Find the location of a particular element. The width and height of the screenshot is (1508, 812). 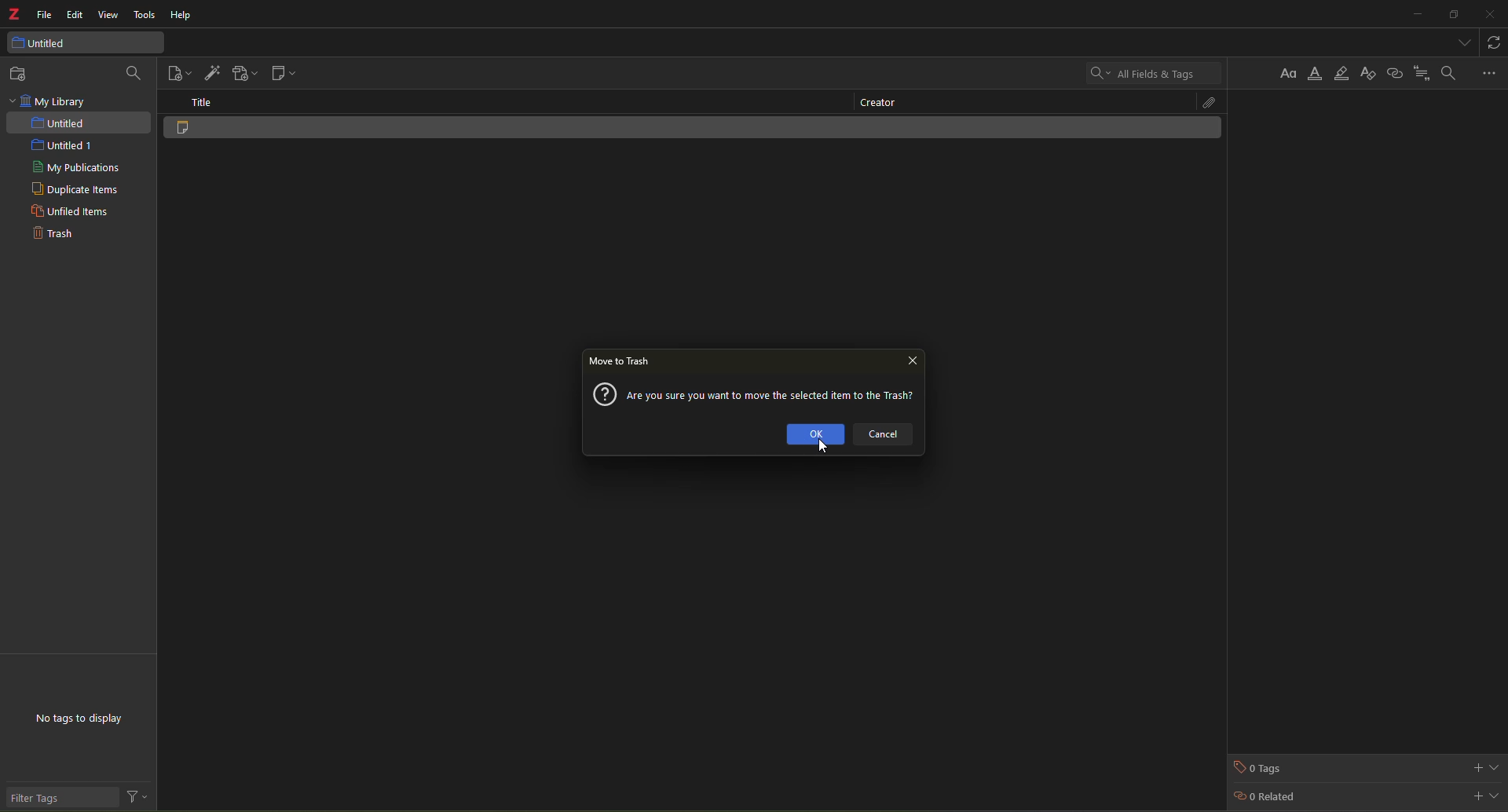

untited is located at coordinates (58, 123).